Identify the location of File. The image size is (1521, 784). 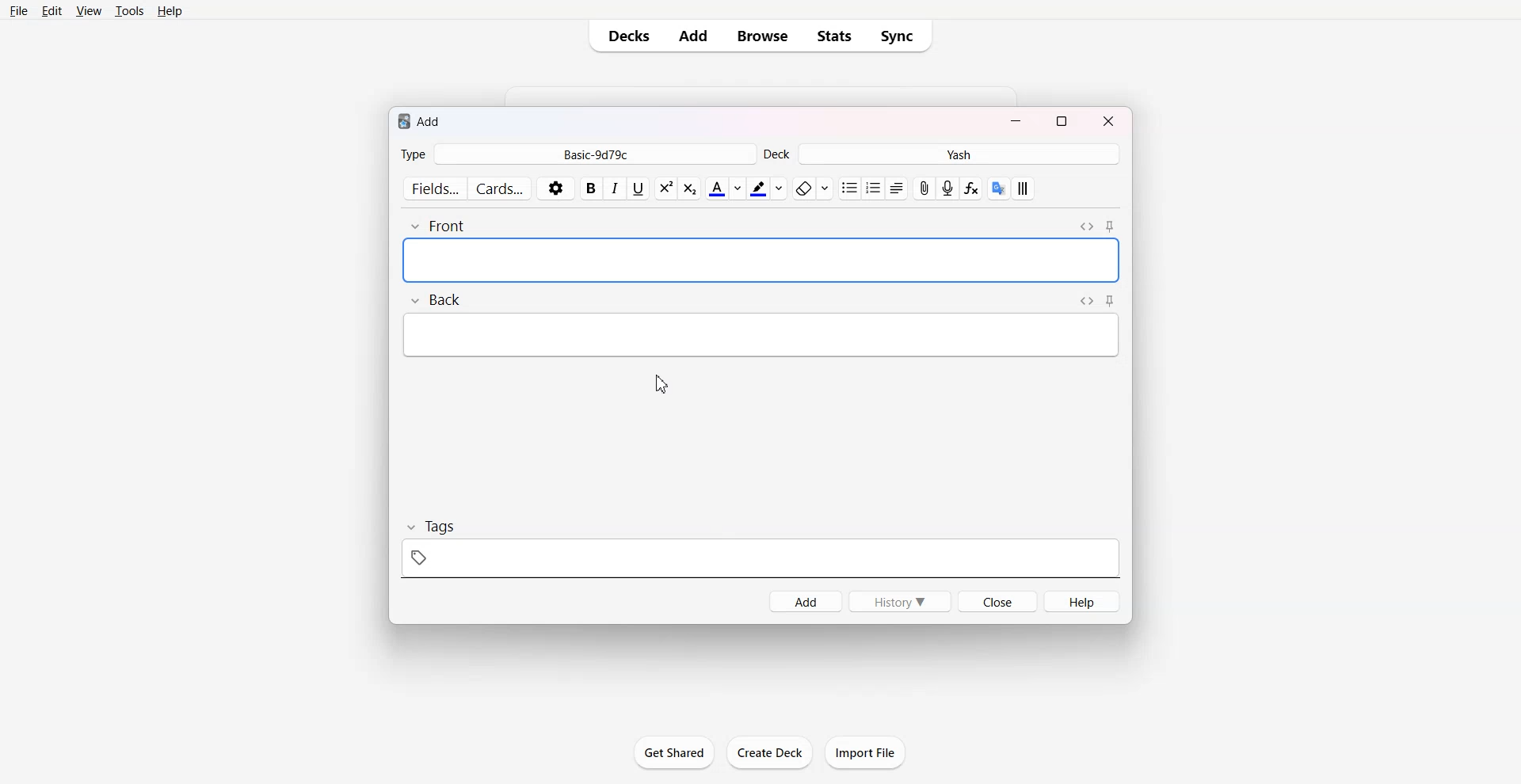
(19, 12).